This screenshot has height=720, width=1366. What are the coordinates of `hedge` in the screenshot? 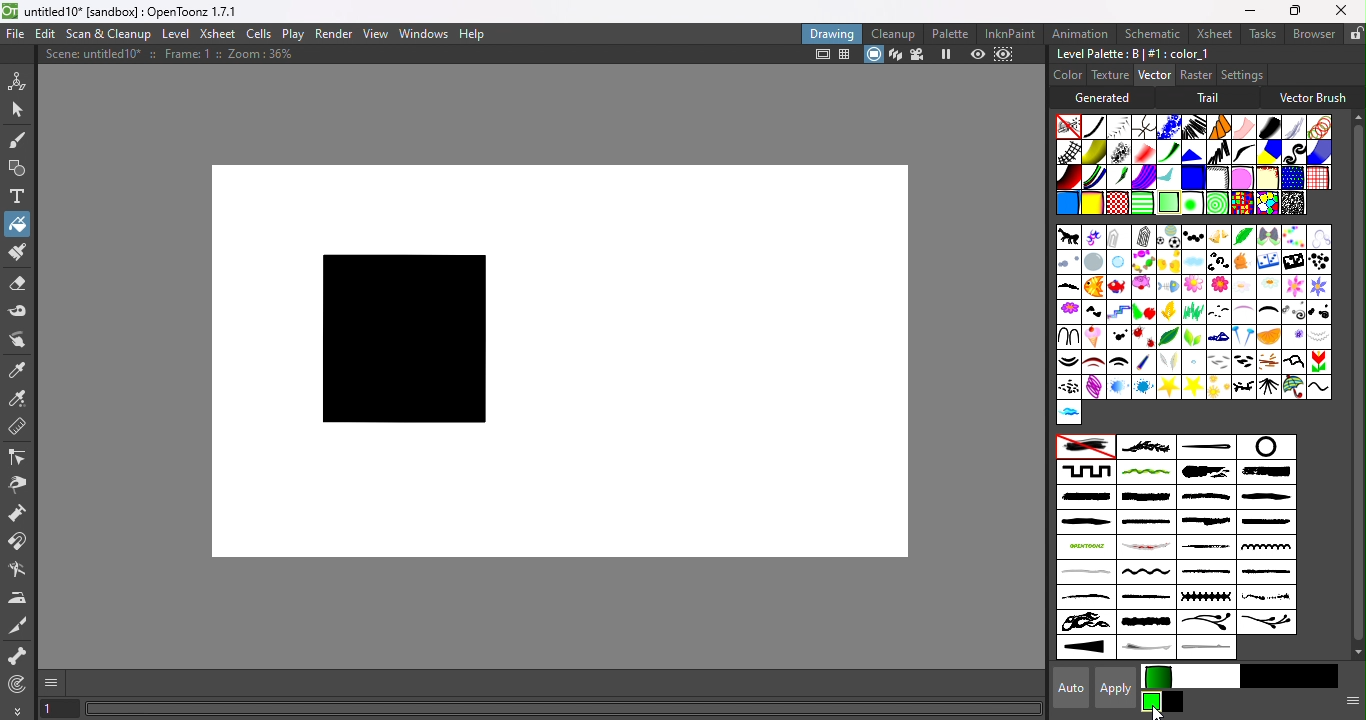 It's located at (1319, 311).